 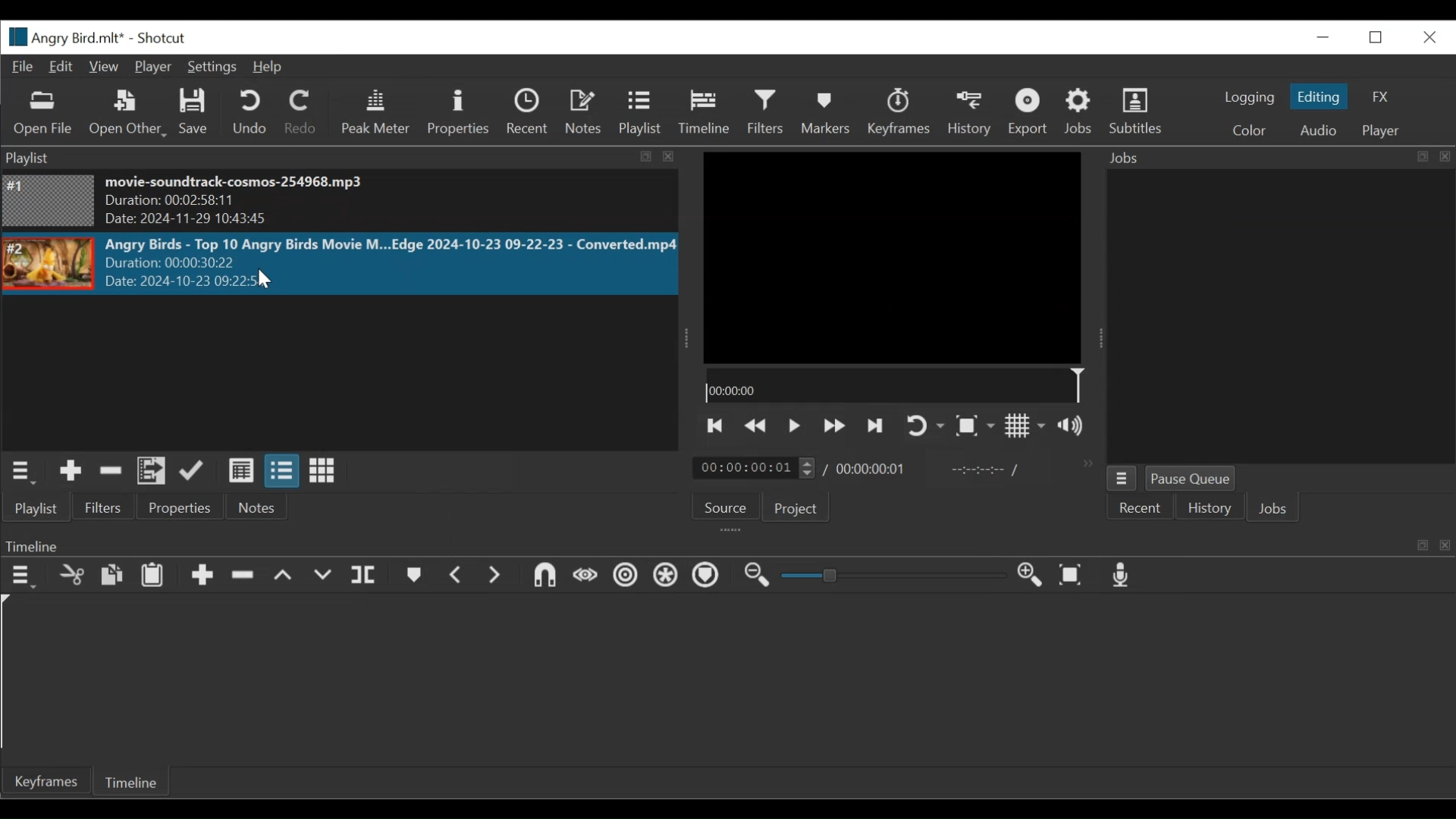 What do you see at coordinates (135, 781) in the screenshot?
I see `Timeline` at bounding box center [135, 781].